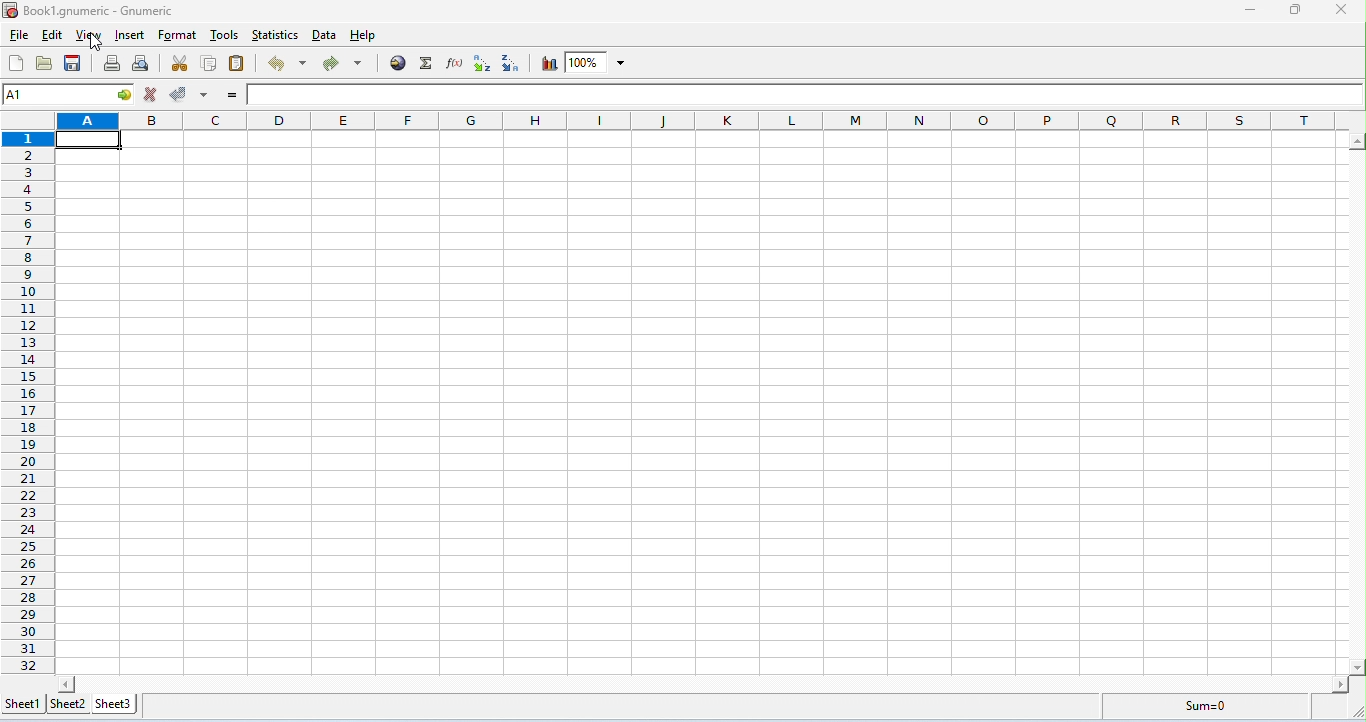  Describe the element at coordinates (326, 36) in the screenshot. I see `data` at that location.